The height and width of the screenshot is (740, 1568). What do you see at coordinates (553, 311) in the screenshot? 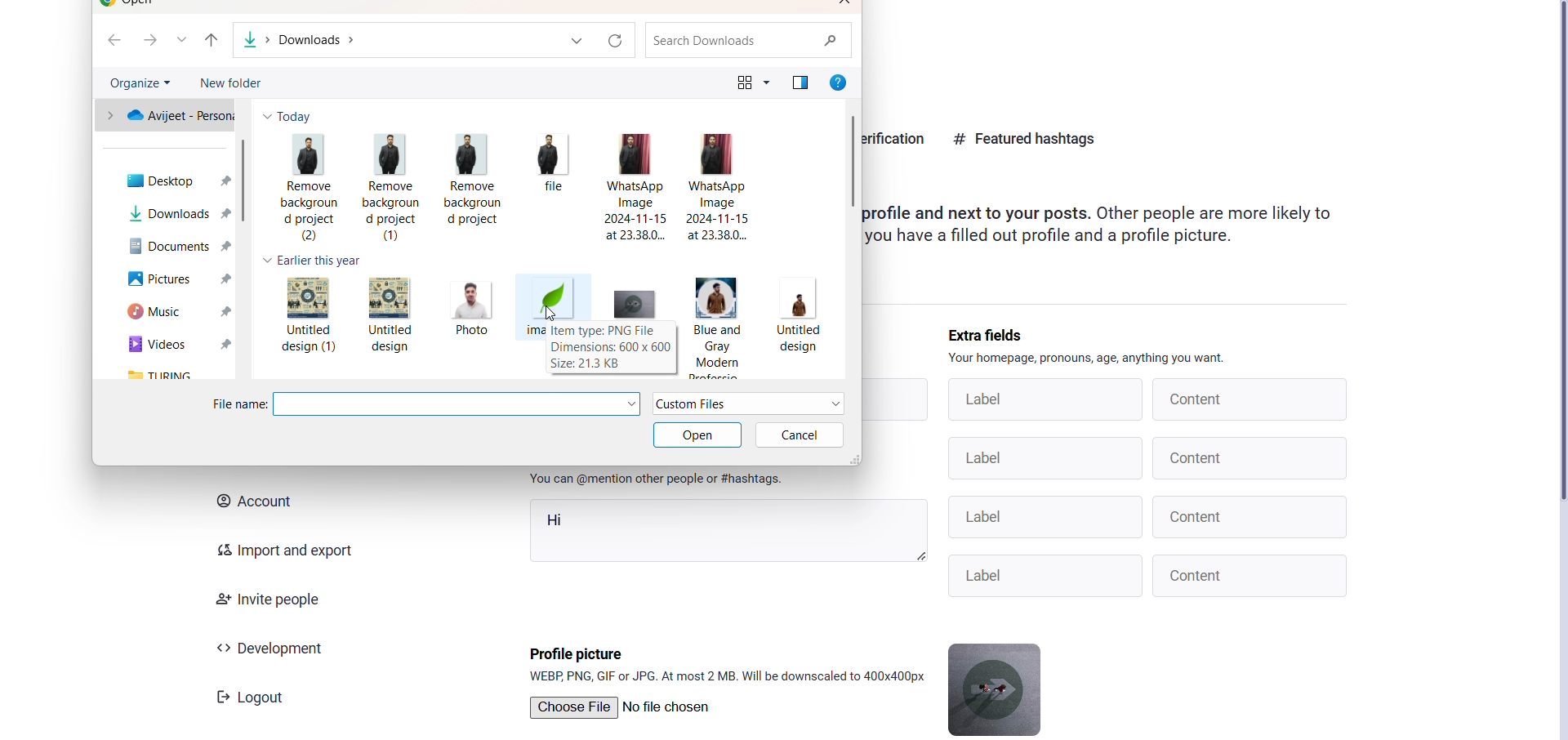
I see `cursor` at bounding box center [553, 311].